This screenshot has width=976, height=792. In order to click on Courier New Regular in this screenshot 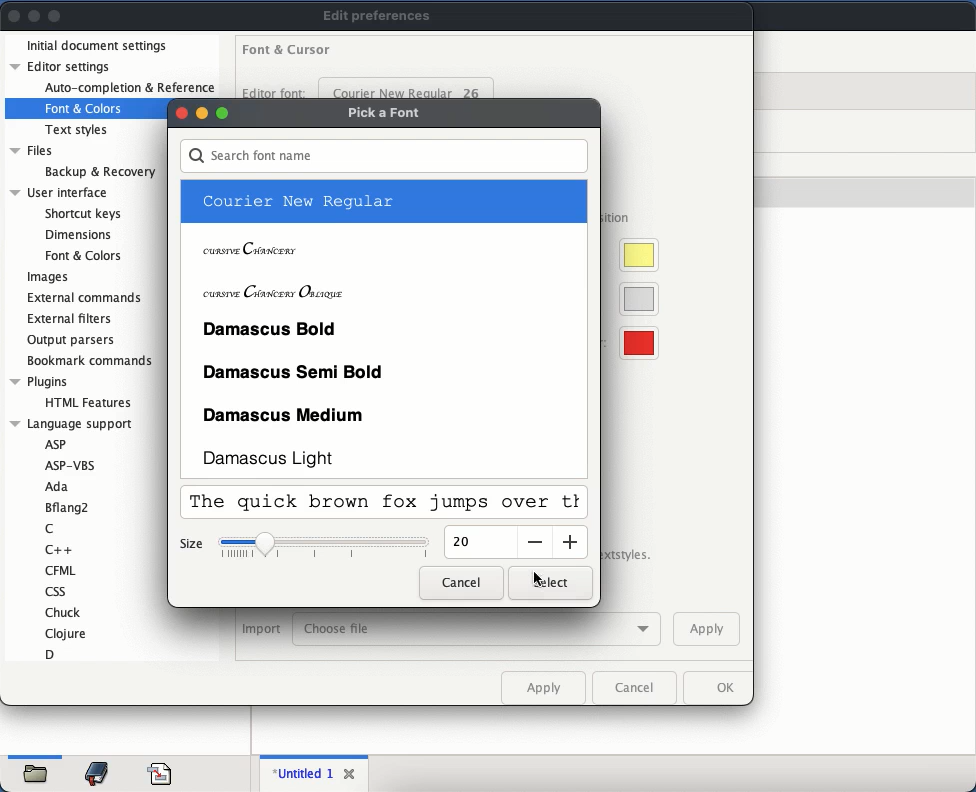, I will do `click(298, 200)`.